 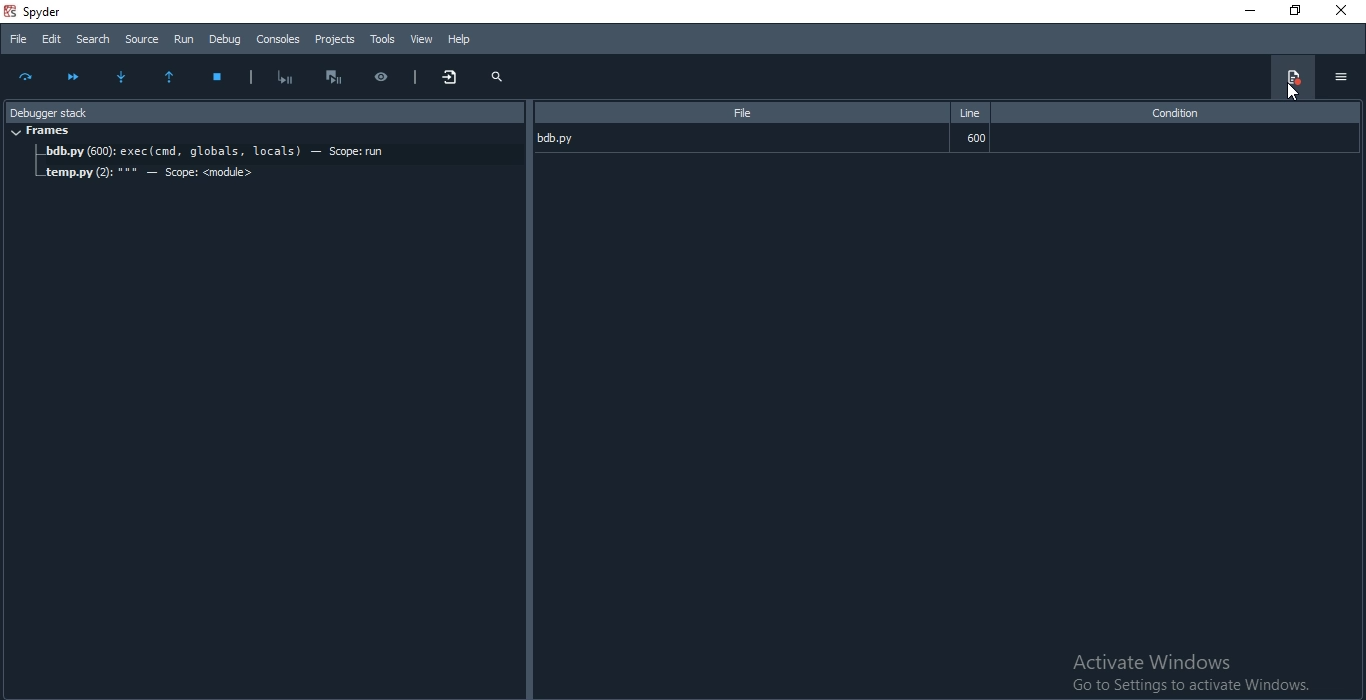 What do you see at coordinates (1290, 92) in the screenshot?
I see `Cursor` at bounding box center [1290, 92].